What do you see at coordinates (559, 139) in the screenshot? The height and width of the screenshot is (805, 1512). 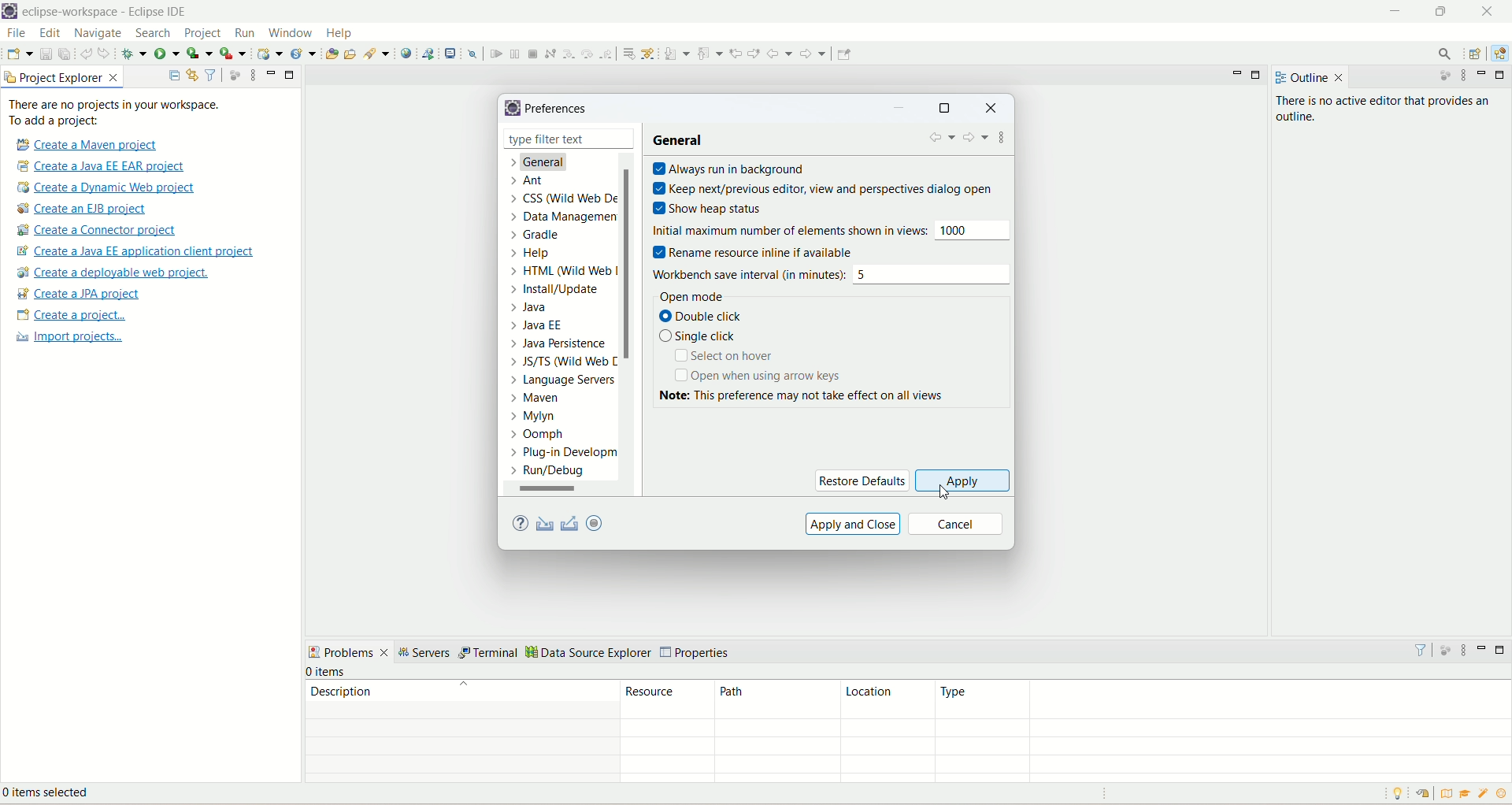 I see `type filter text` at bounding box center [559, 139].